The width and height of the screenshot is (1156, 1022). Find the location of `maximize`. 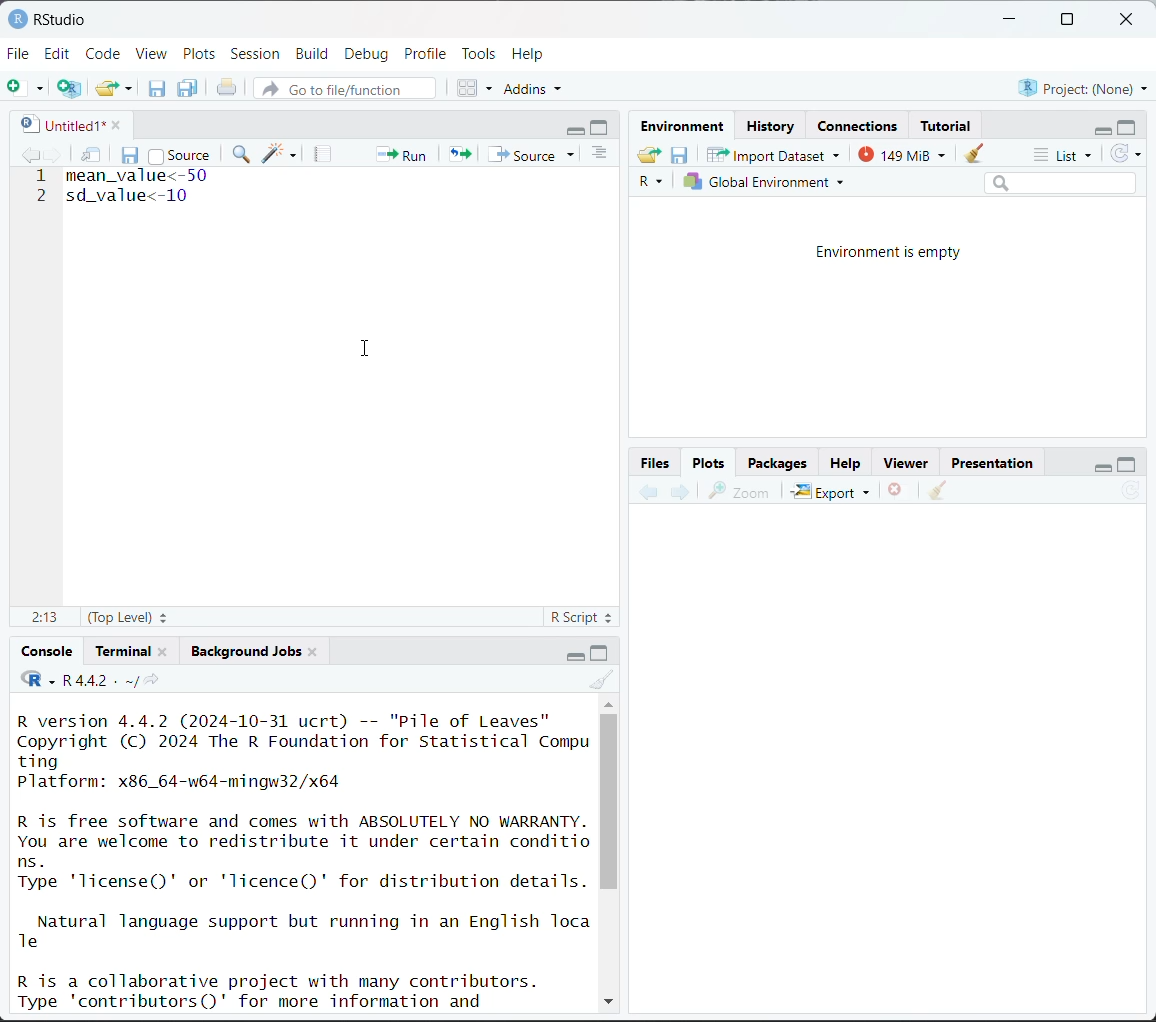

maximize is located at coordinates (1128, 126).